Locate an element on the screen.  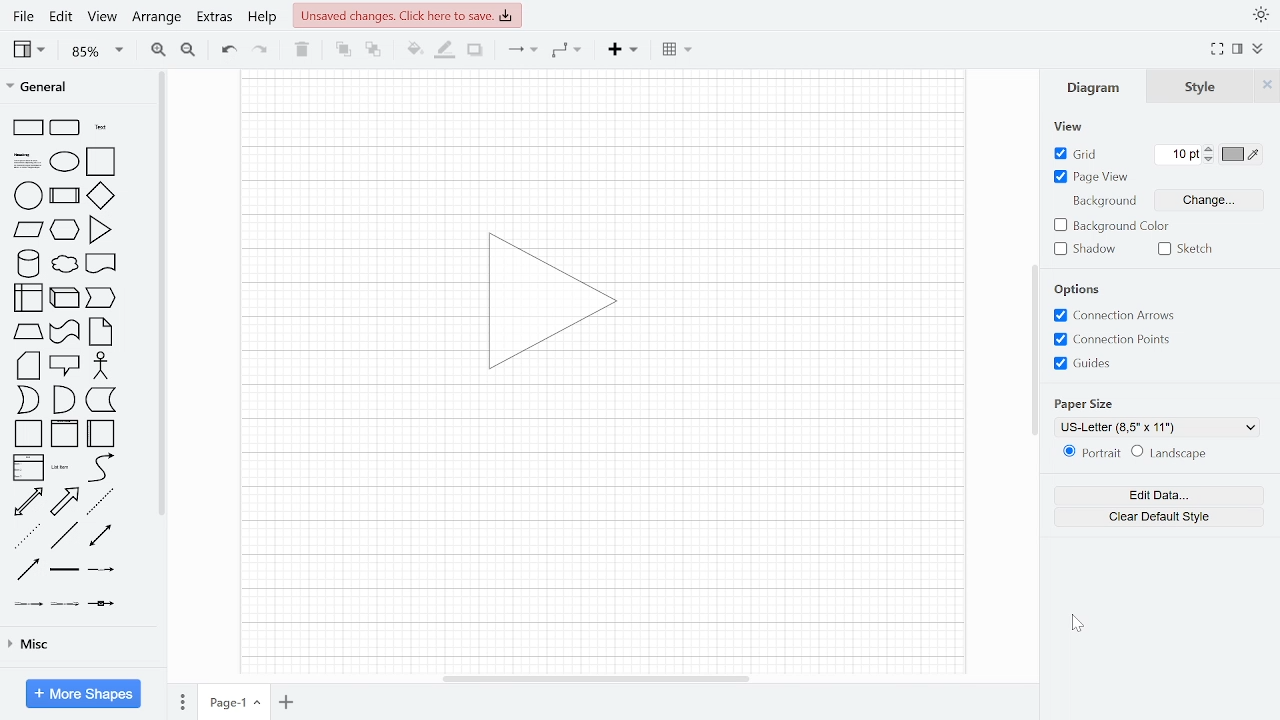
Horizontal container is located at coordinates (100, 434).